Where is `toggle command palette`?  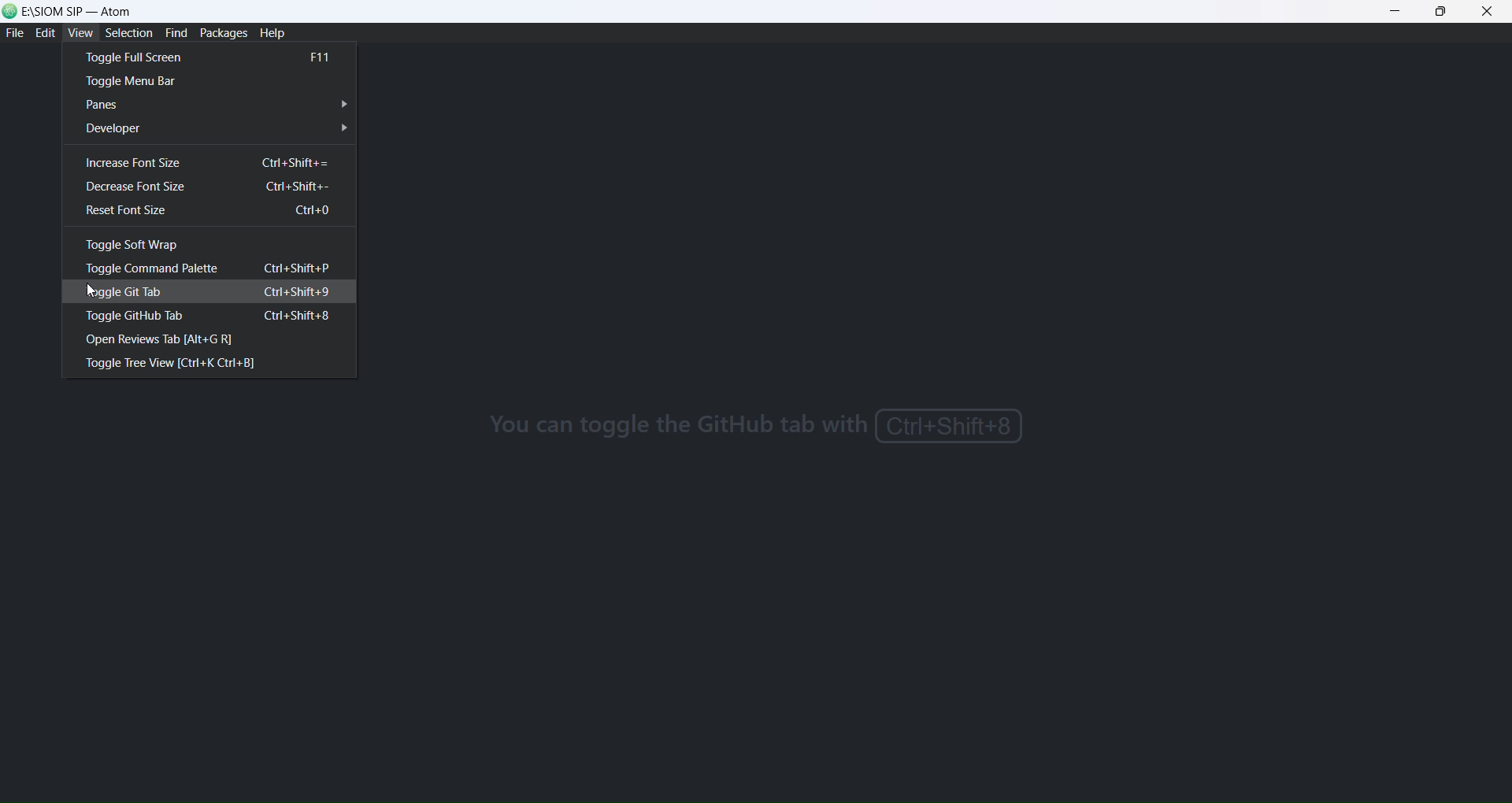
toggle command palette is located at coordinates (211, 271).